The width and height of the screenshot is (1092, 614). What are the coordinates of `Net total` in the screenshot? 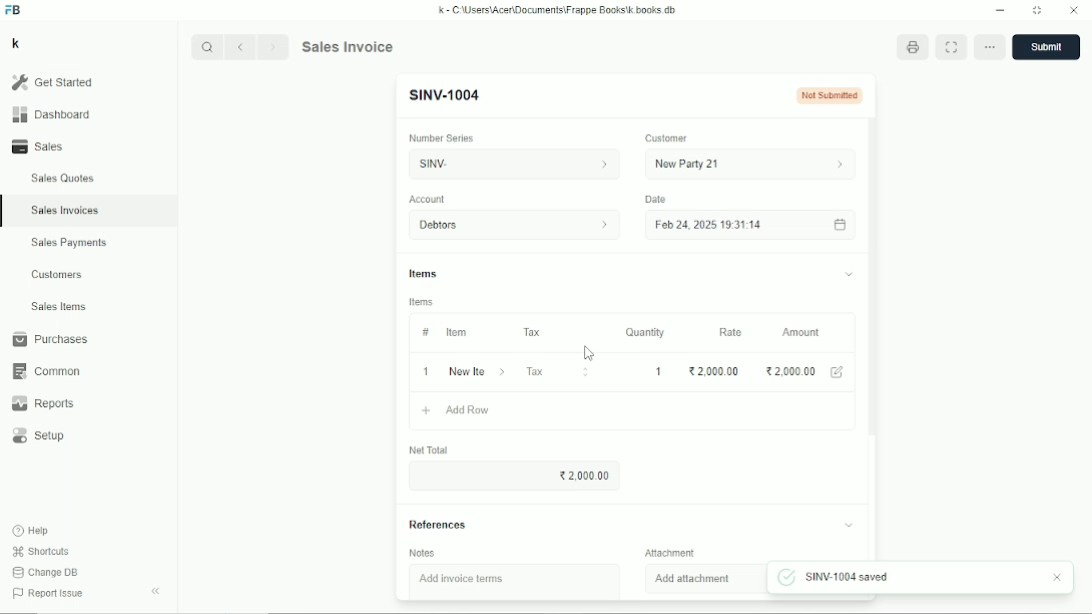 It's located at (429, 450).